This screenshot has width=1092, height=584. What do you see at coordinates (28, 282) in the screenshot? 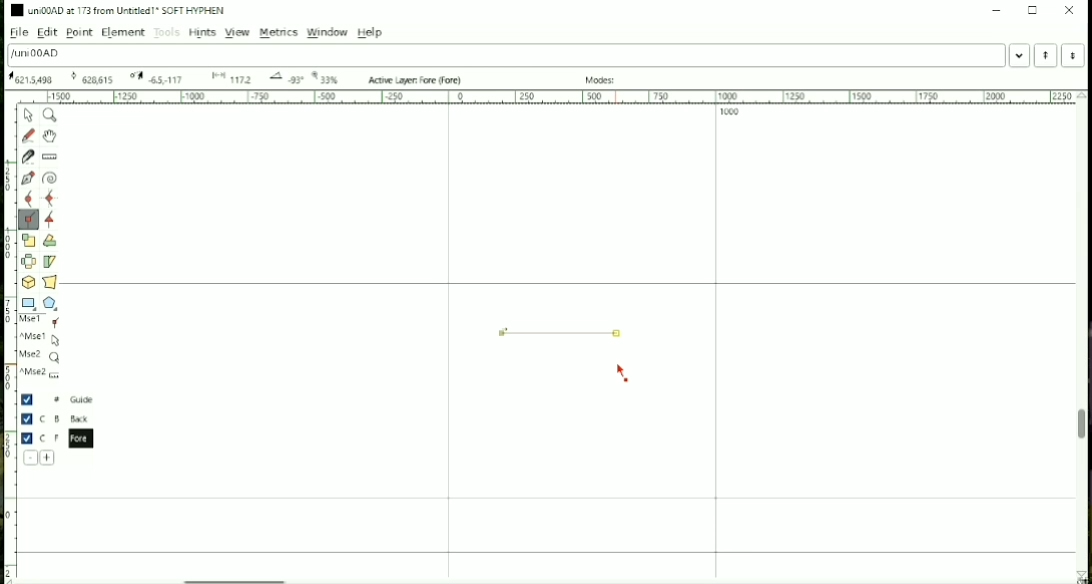
I see `Rotate the selection in 3D and project back to plane` at bounding box center [28, 282].